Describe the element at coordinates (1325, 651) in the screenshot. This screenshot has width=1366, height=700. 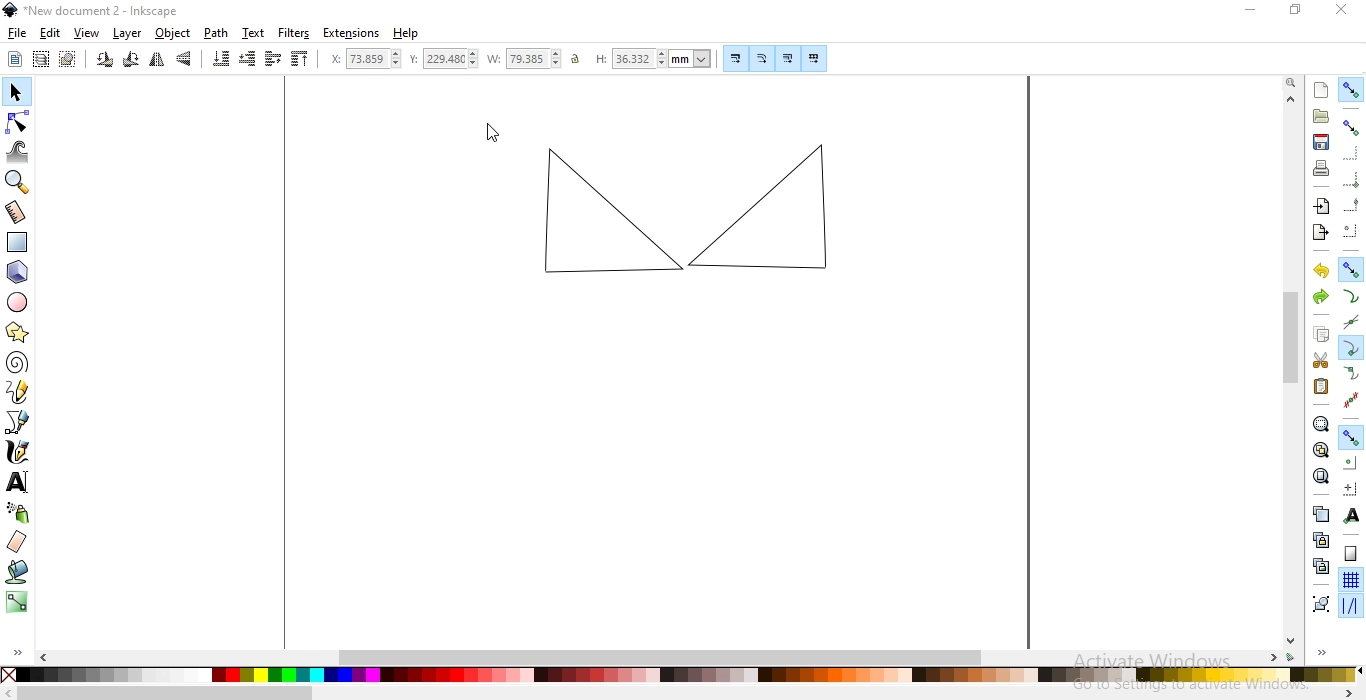
I see `expand/hide sidebar` at that location.